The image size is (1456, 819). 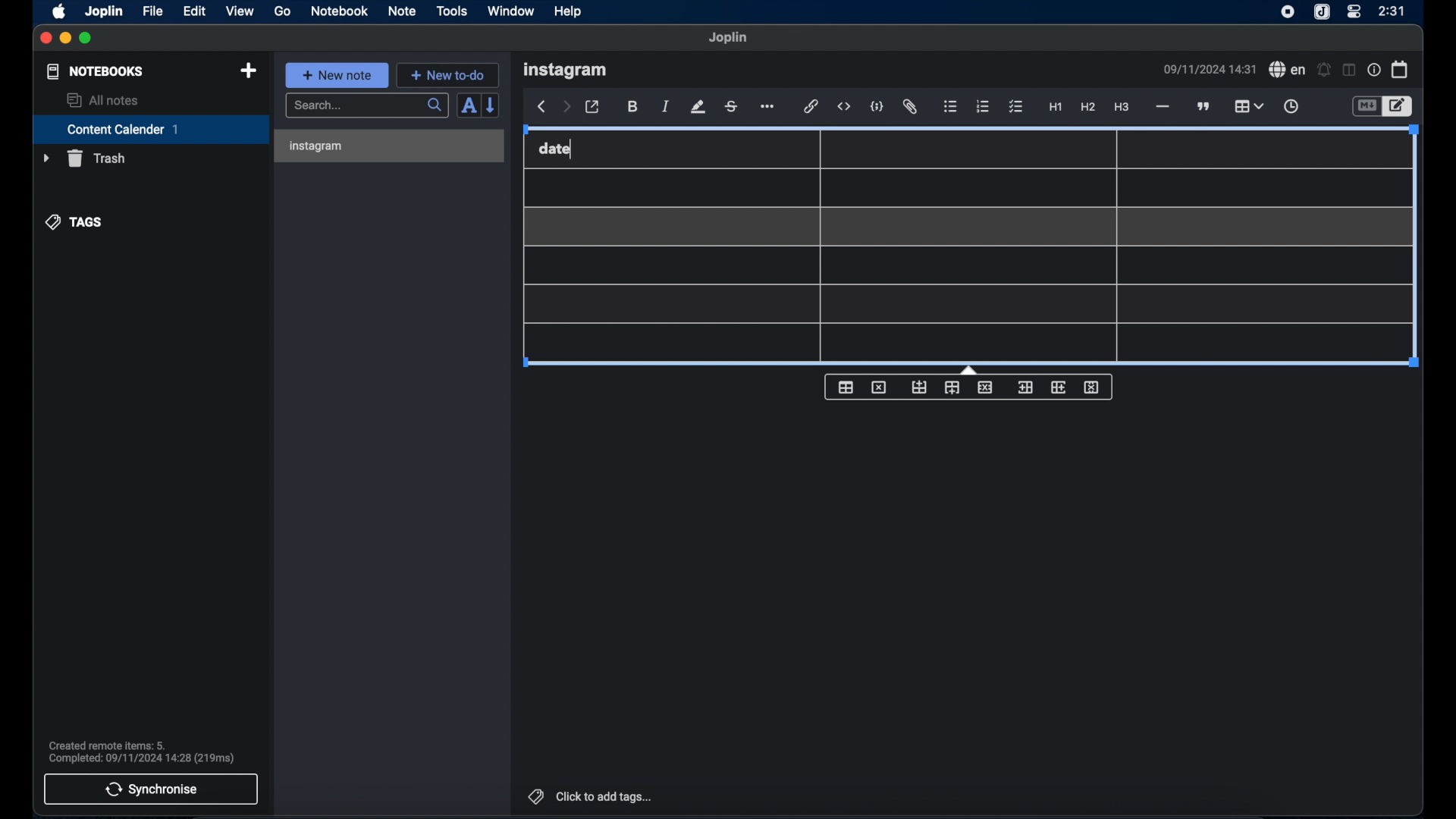 What do you see at coordinates (447, 75) in the screenshot?
I see `new to-do` at bounding box center [447, 75].